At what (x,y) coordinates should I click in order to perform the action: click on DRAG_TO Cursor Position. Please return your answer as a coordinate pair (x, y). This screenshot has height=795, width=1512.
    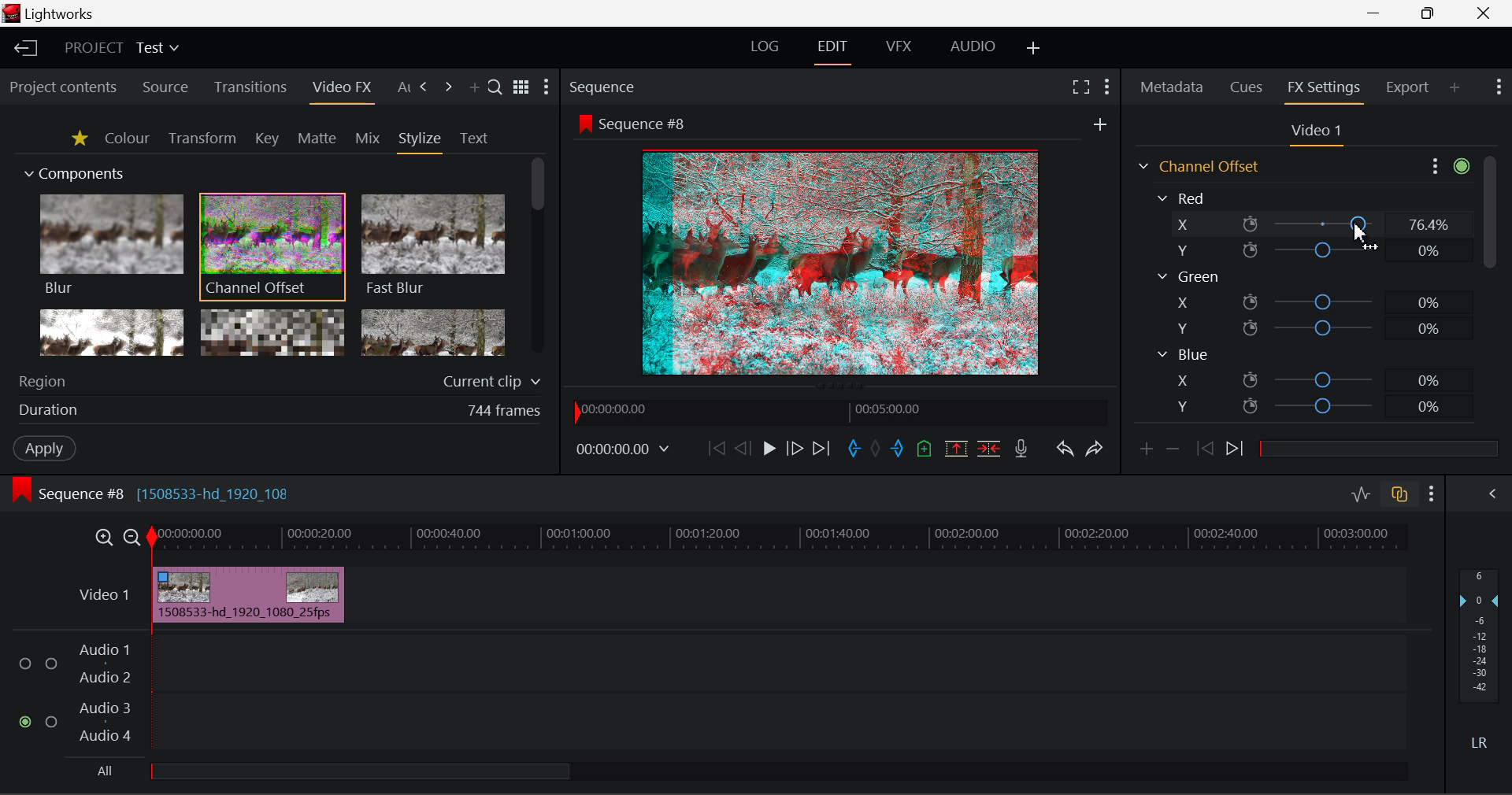
    Looking at the image, I should click on (1362, 225).